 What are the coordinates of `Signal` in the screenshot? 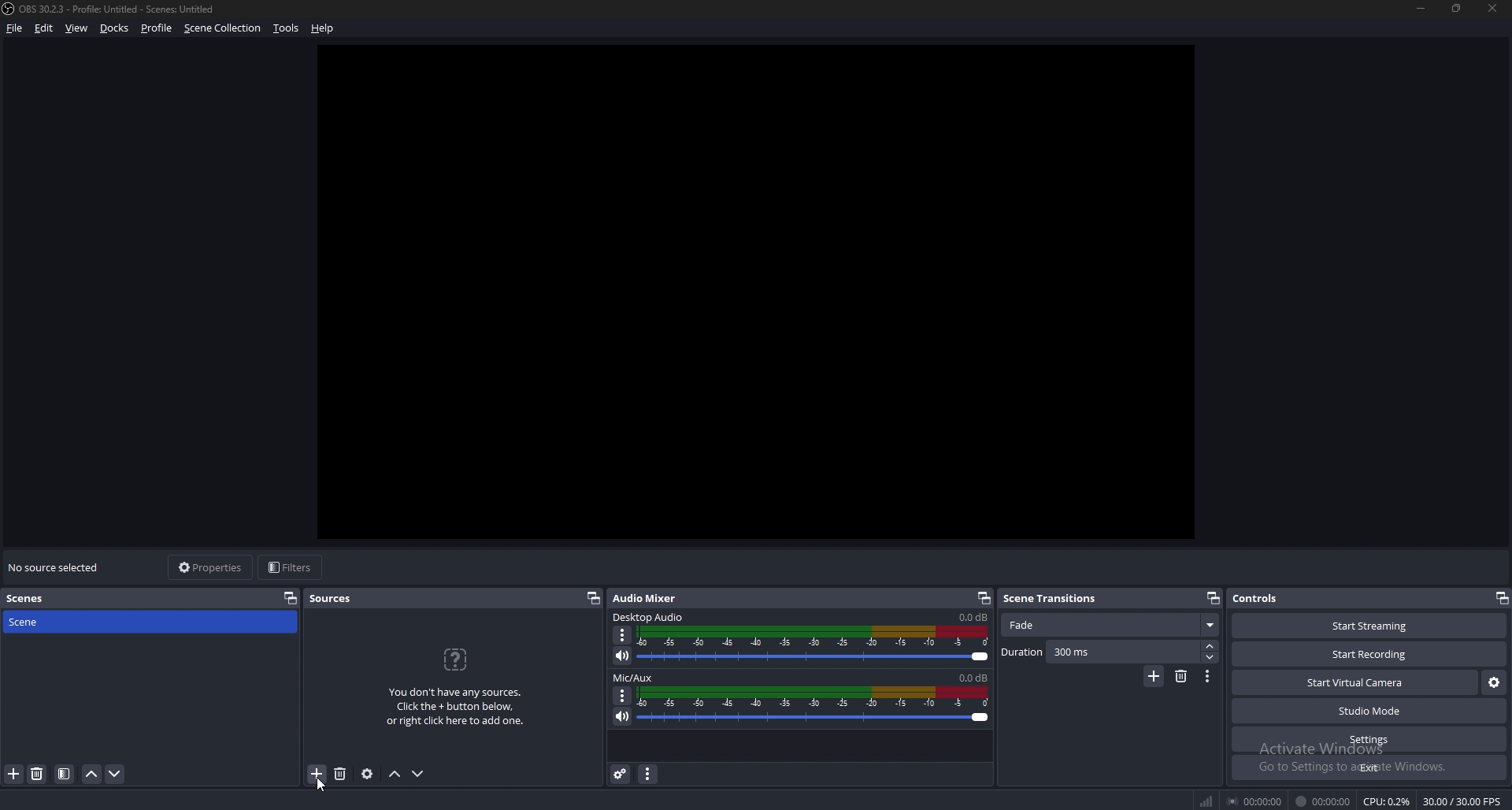 It's located at (1206, 801).